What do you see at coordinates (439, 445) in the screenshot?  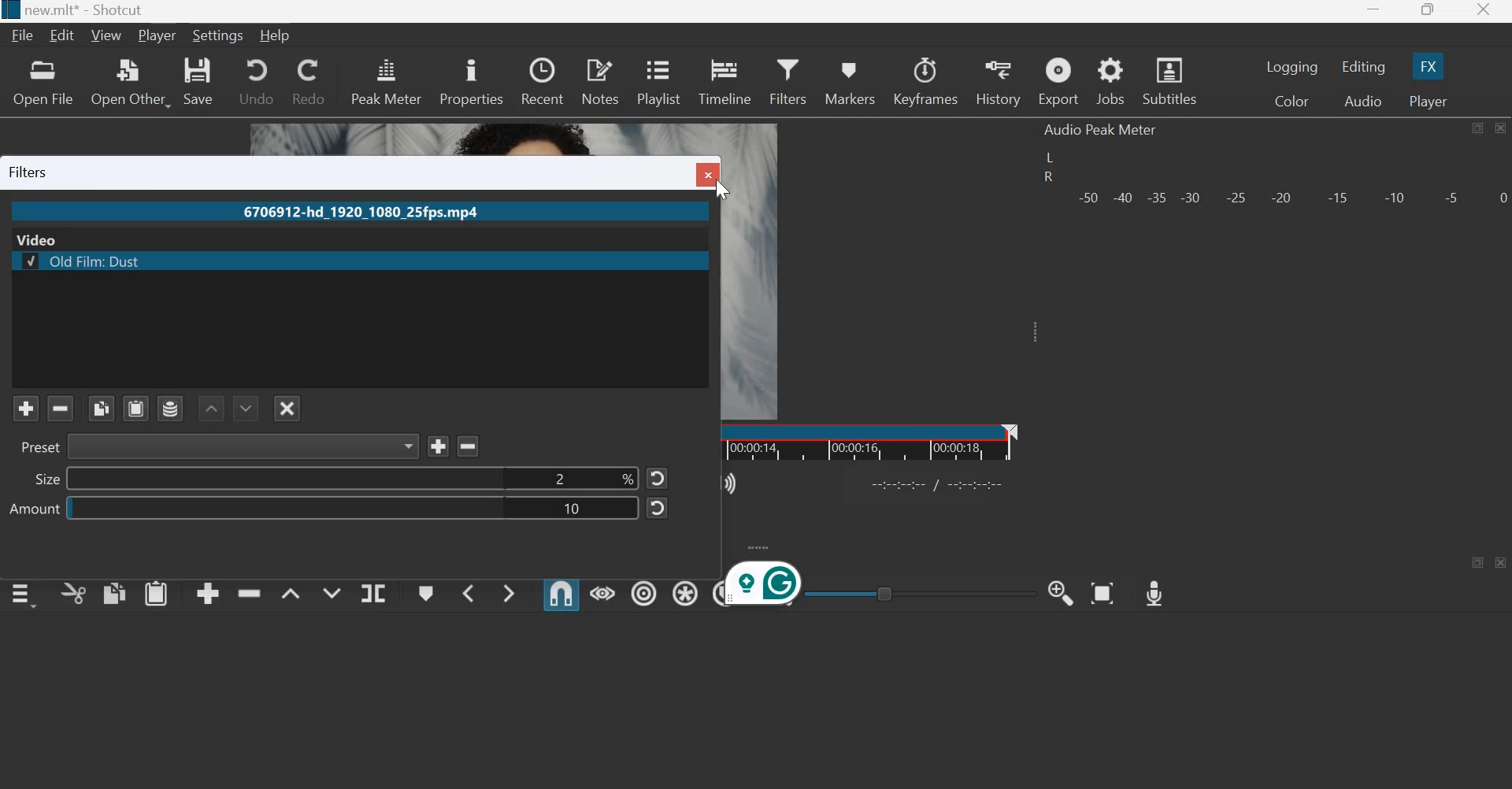 I see `` at bounding box center [439, 445].